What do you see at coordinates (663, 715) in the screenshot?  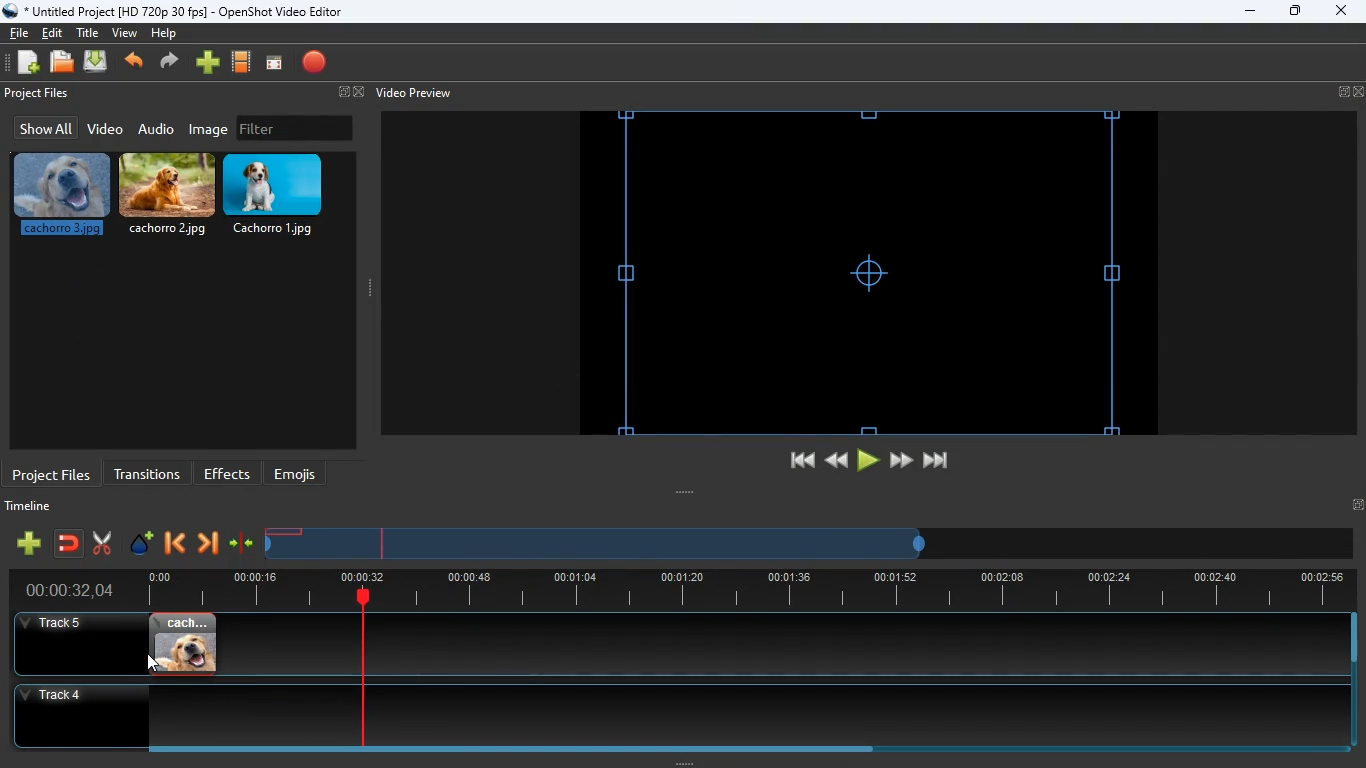 I see `track` at bounding box center [663, 715].